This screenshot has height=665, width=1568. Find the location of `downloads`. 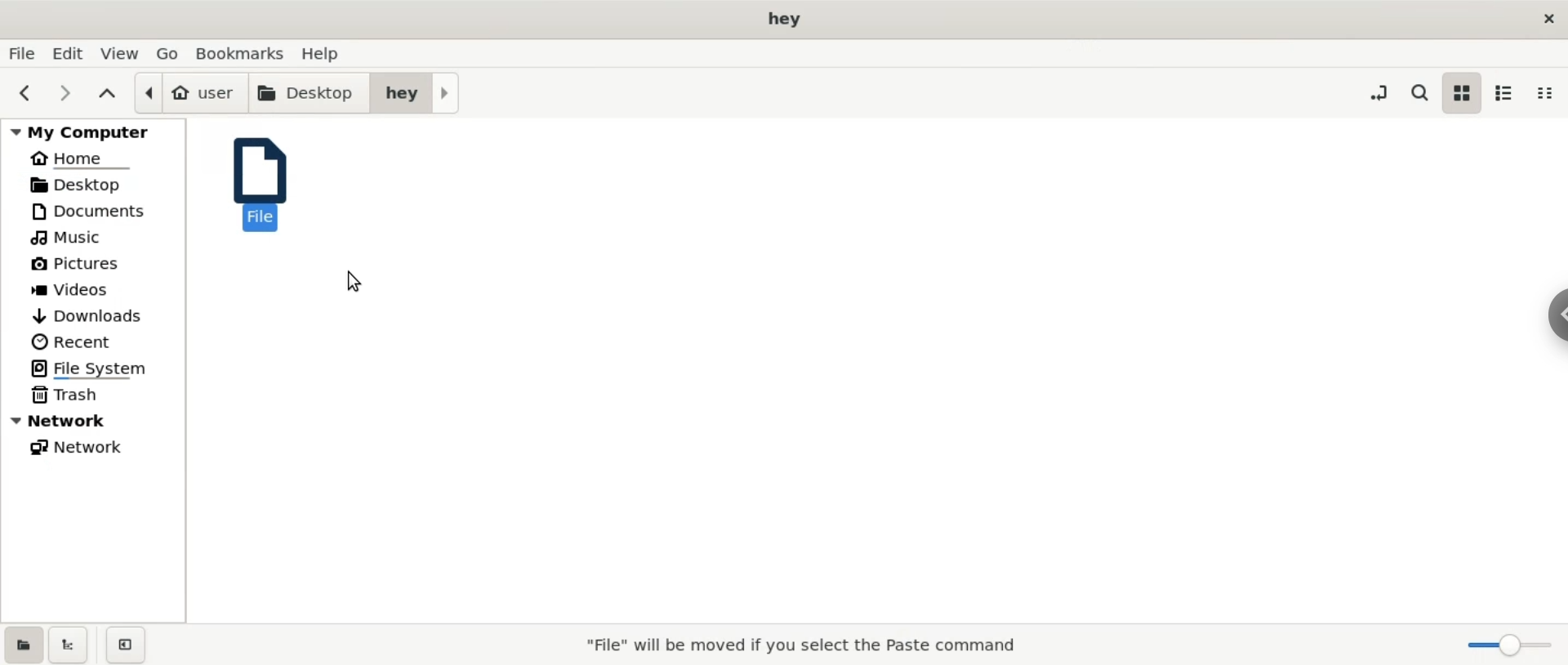

downloads is located at coordinates (96, 312).